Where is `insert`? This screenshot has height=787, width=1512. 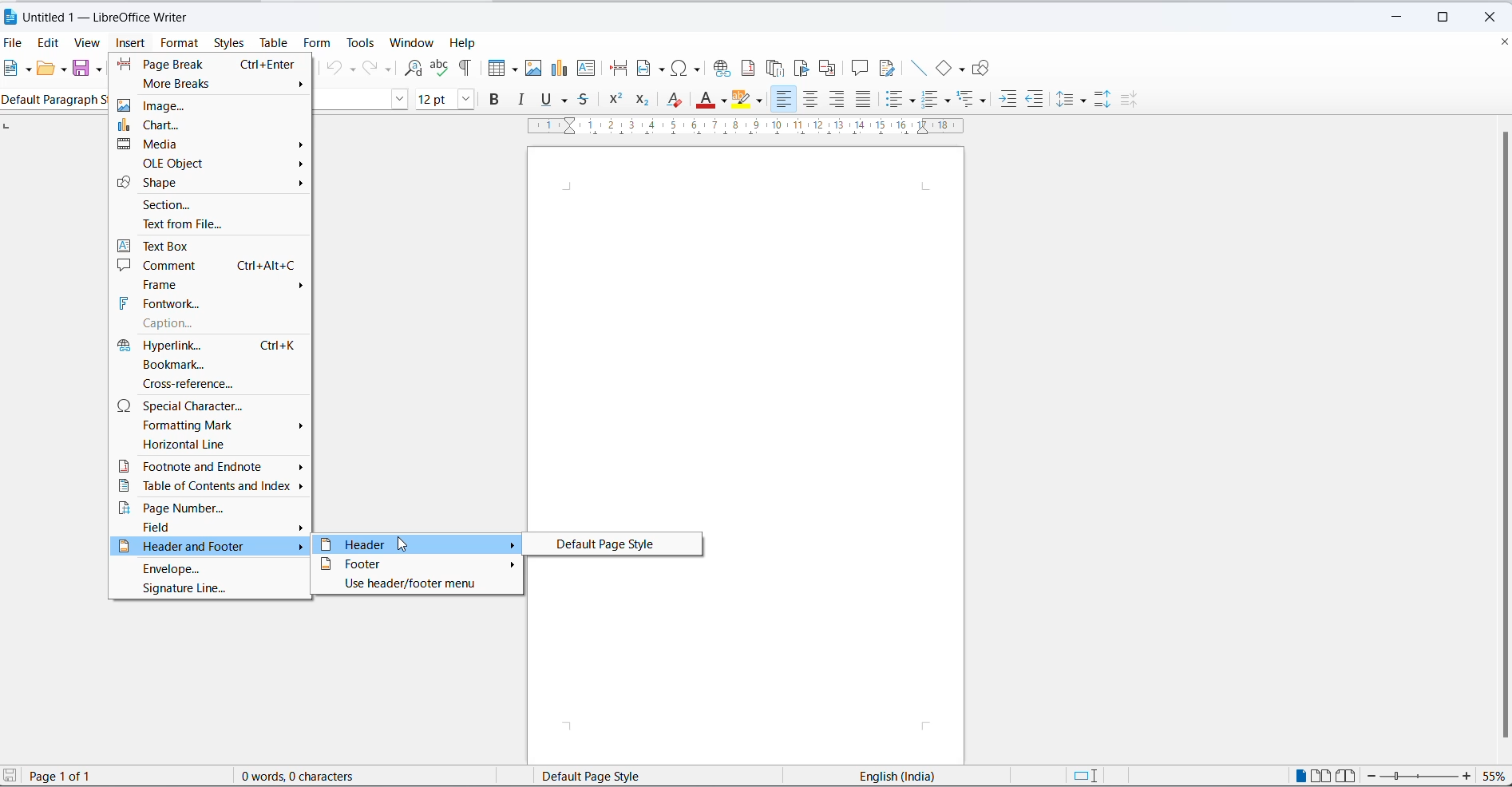
insert is located at coordinates (133, 44).